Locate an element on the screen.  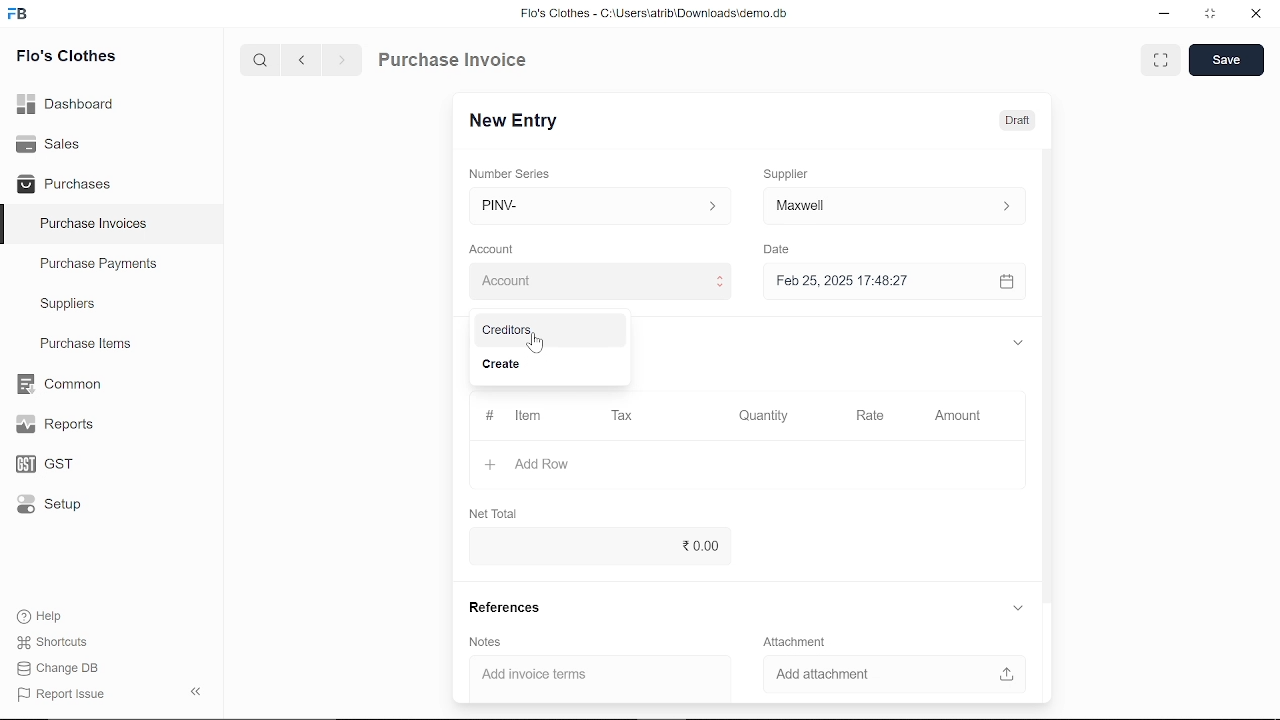
minimize is located at coordinates (1162, 14).